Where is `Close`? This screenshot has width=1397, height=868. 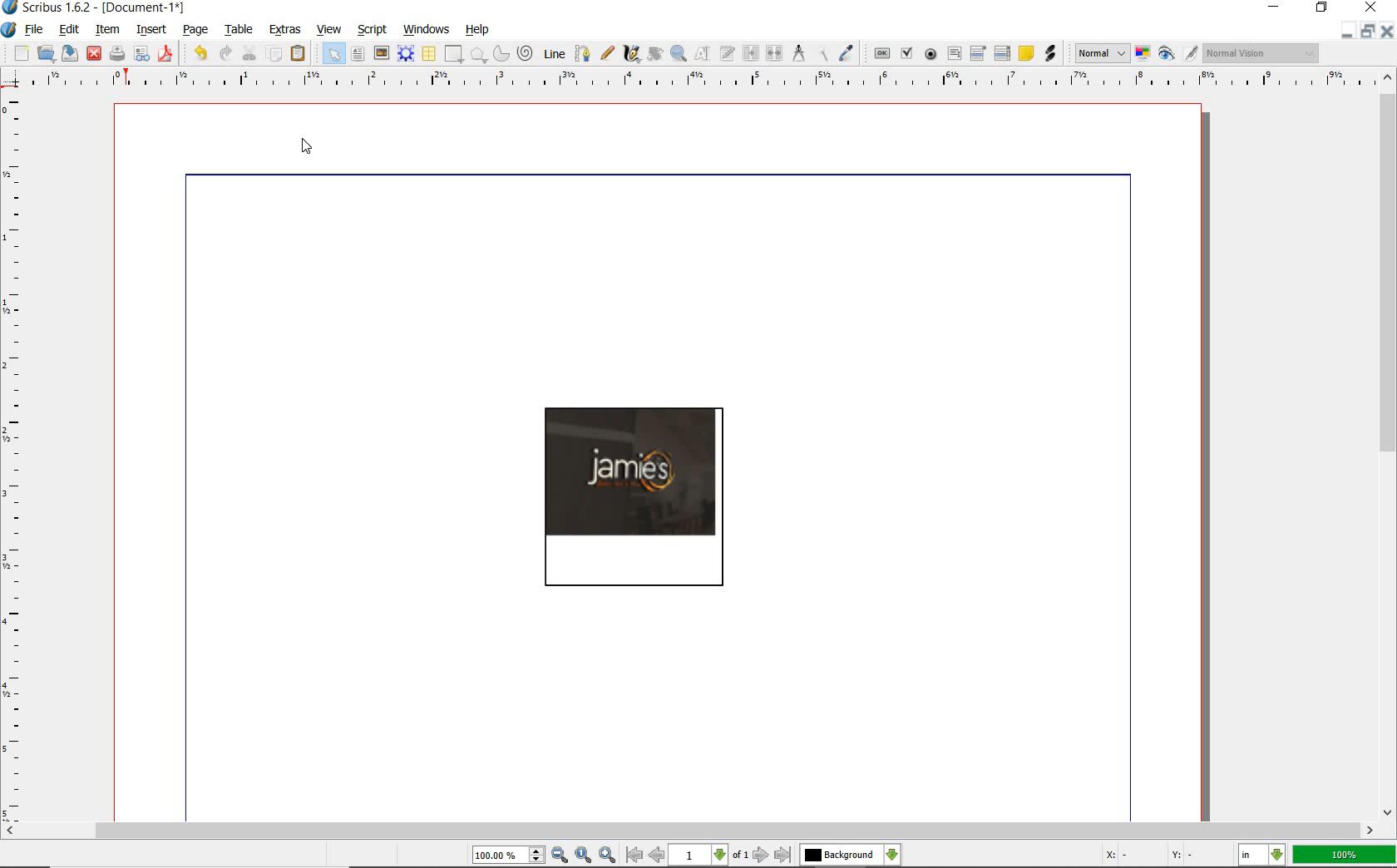
Close is located at coordinates (1389, 31).